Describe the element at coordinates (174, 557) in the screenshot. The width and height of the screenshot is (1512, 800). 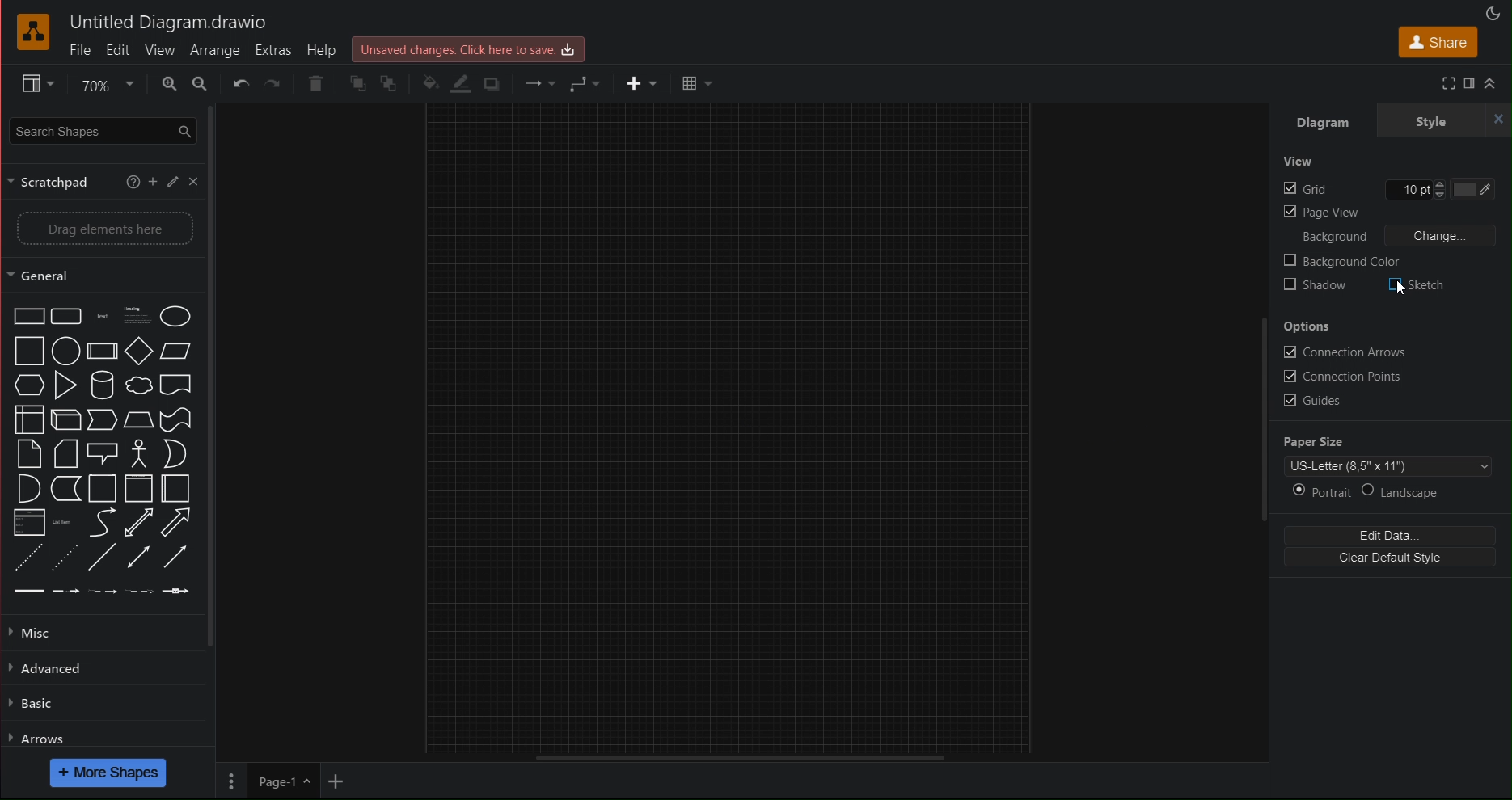
I see `directional connector` at that location.